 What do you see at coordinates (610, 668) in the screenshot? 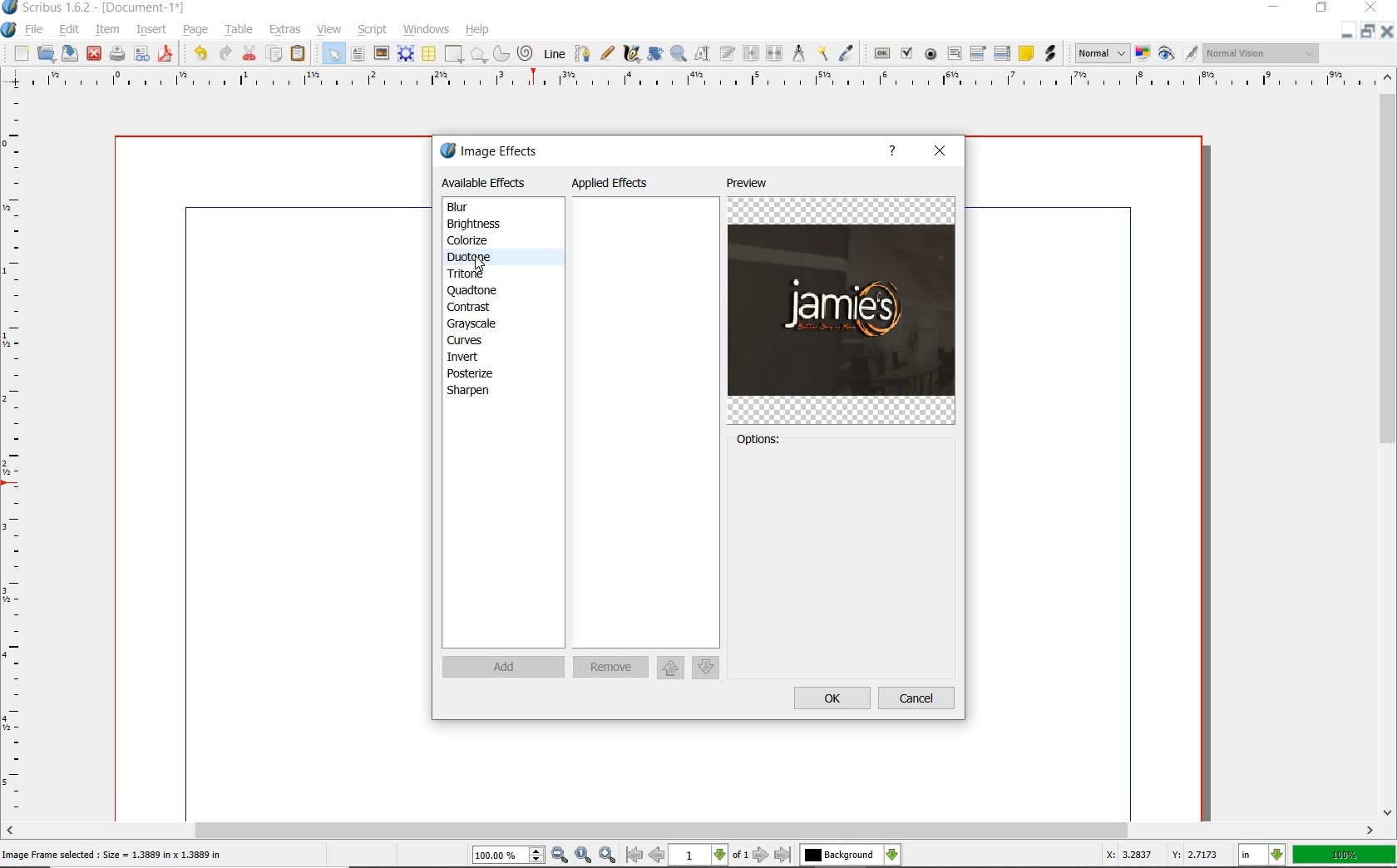
I see `remove` at bounding box center [610, 668].